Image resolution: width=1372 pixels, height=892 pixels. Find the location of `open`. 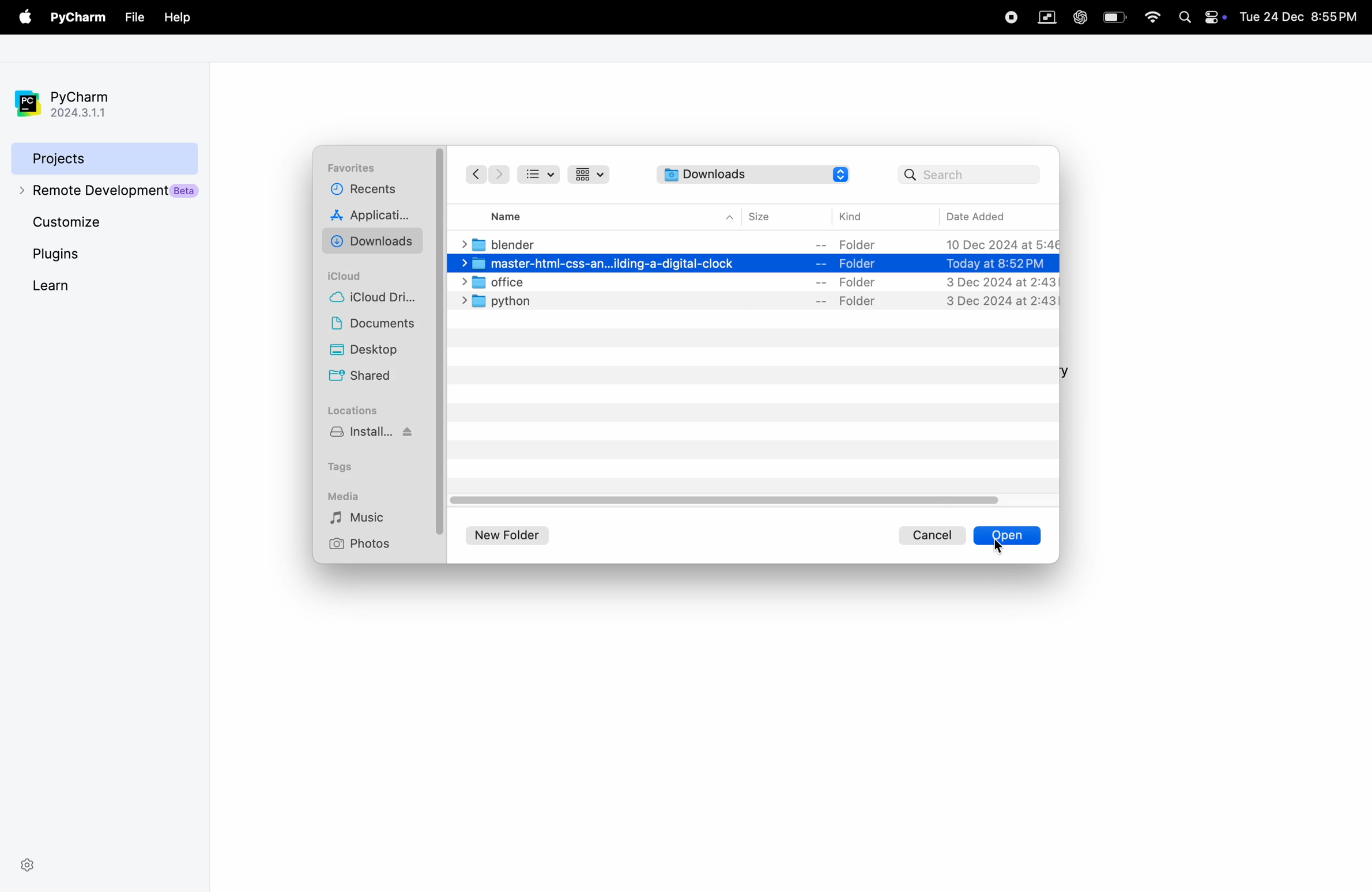

open is located at coordinates (983, 535).